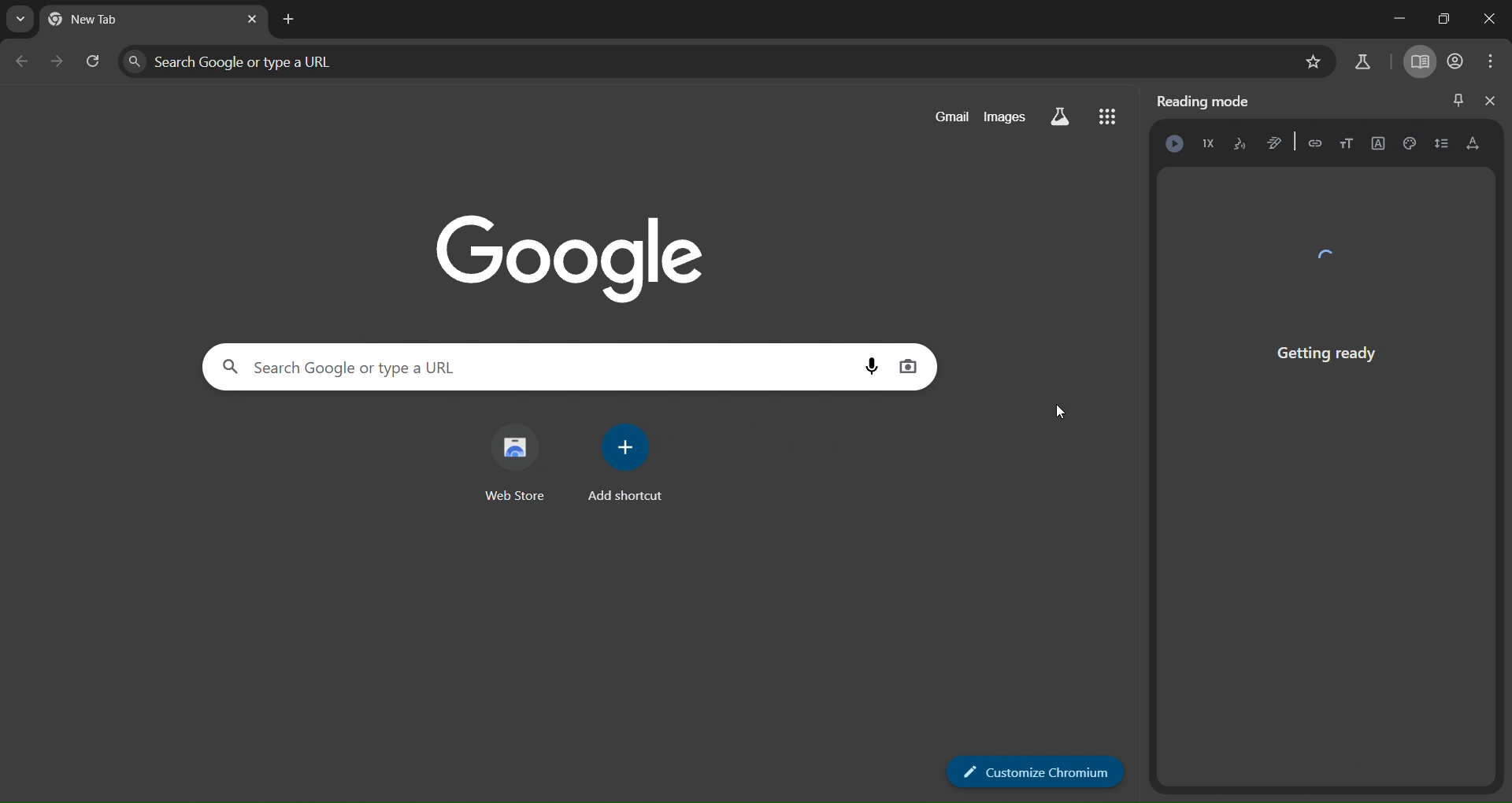 The height and width of the screenshot is (803, 1512). What do you see at coordinates (295, 58) in the screenshot?
I see `search panel` at bounding box center [295, 58].